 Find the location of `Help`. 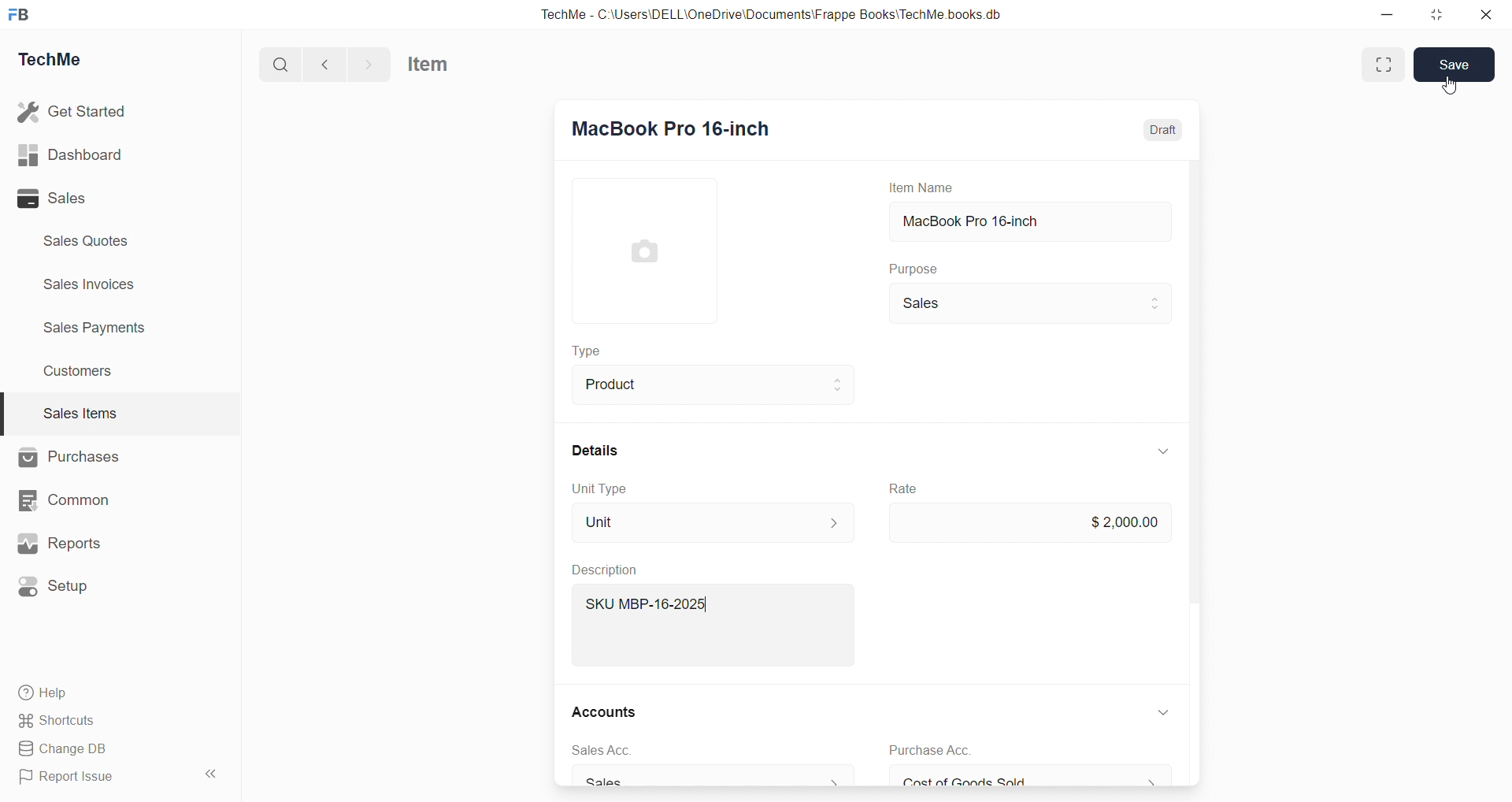

Help is located at coordinates (45, 693).